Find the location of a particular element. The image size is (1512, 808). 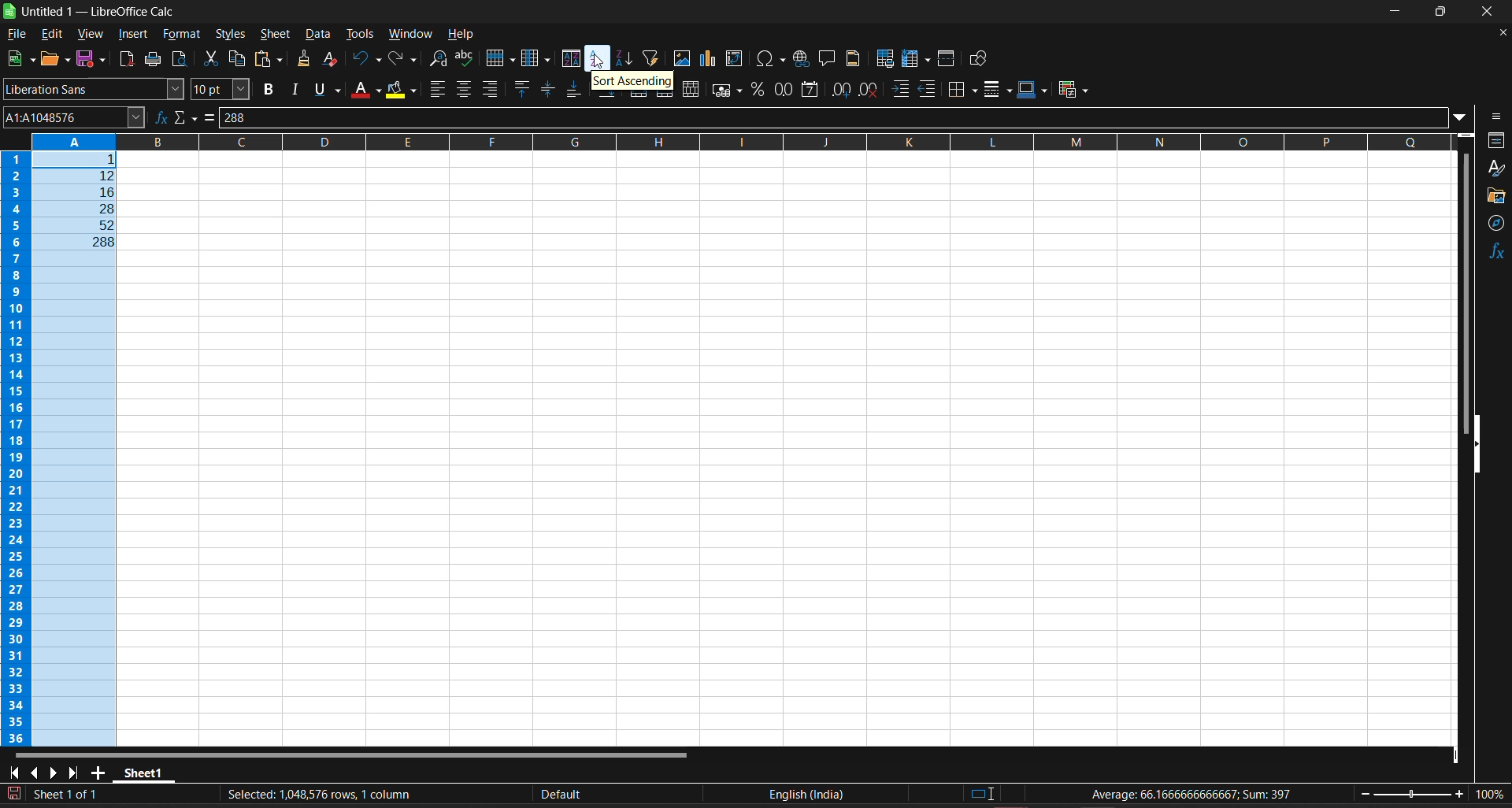

scroll to  last sheet is located at coordinates (75, 769).